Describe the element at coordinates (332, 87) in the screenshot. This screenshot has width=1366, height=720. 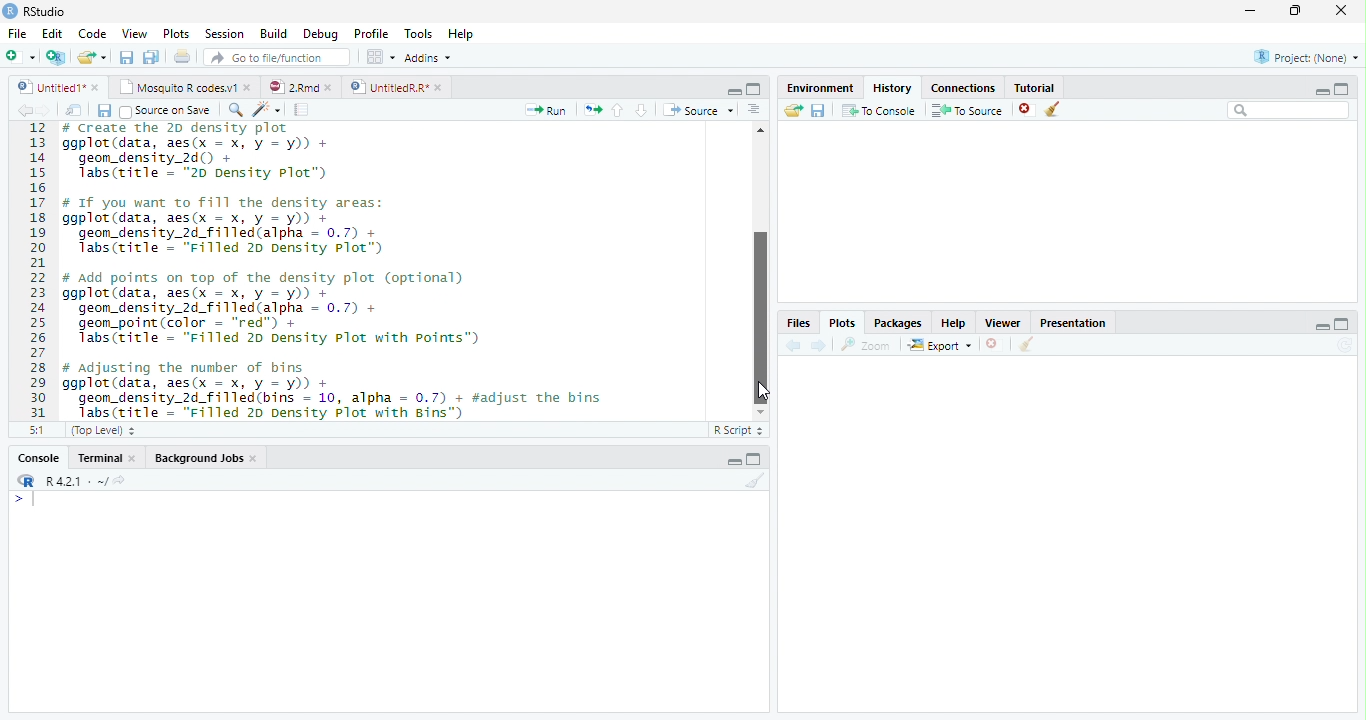
I see `close` at that location.